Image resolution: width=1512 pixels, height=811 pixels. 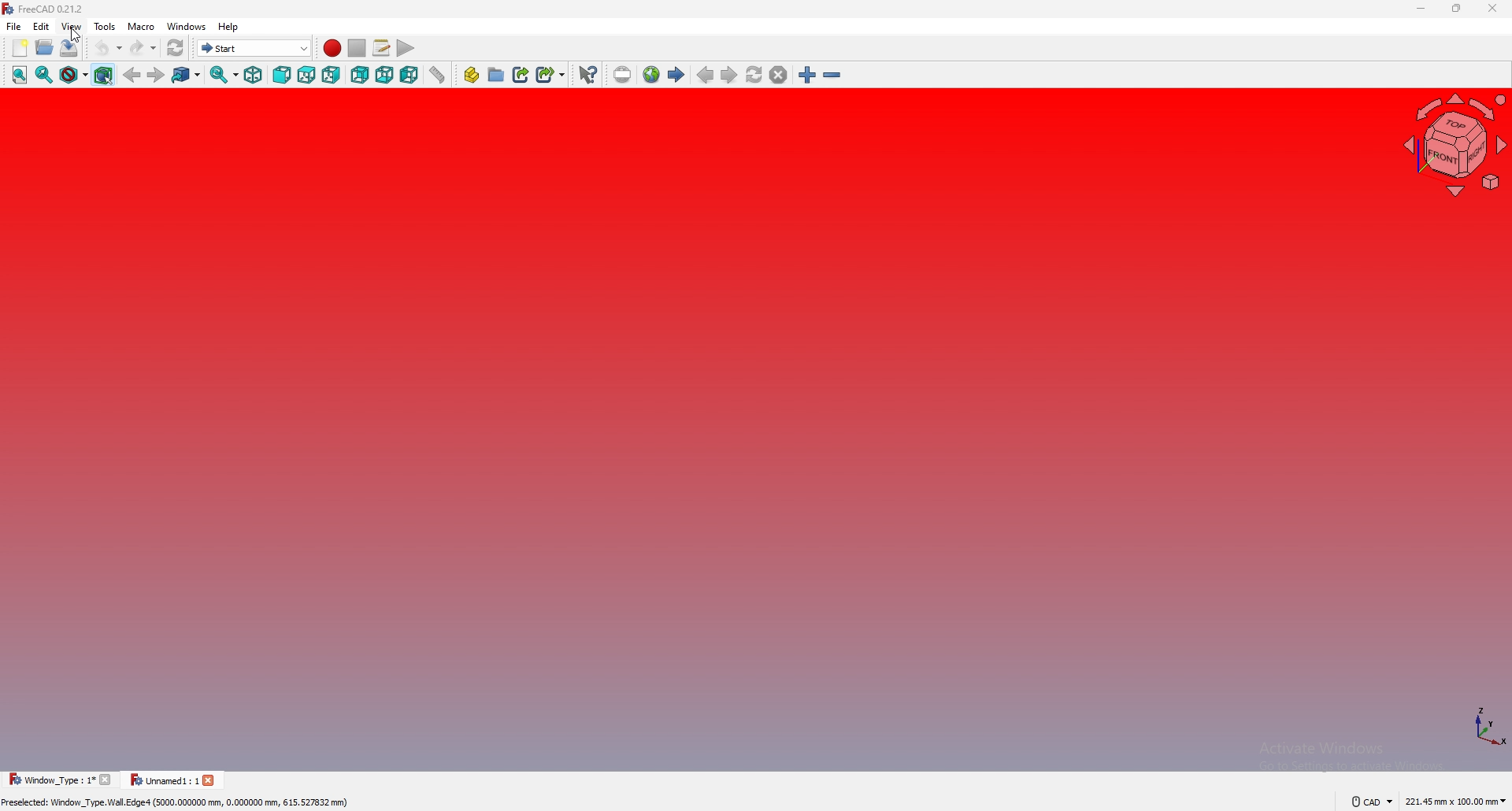 What do you see at coordinates (142, 26) in the screenshot?
I see `macro` at bounding box center [142, 26].